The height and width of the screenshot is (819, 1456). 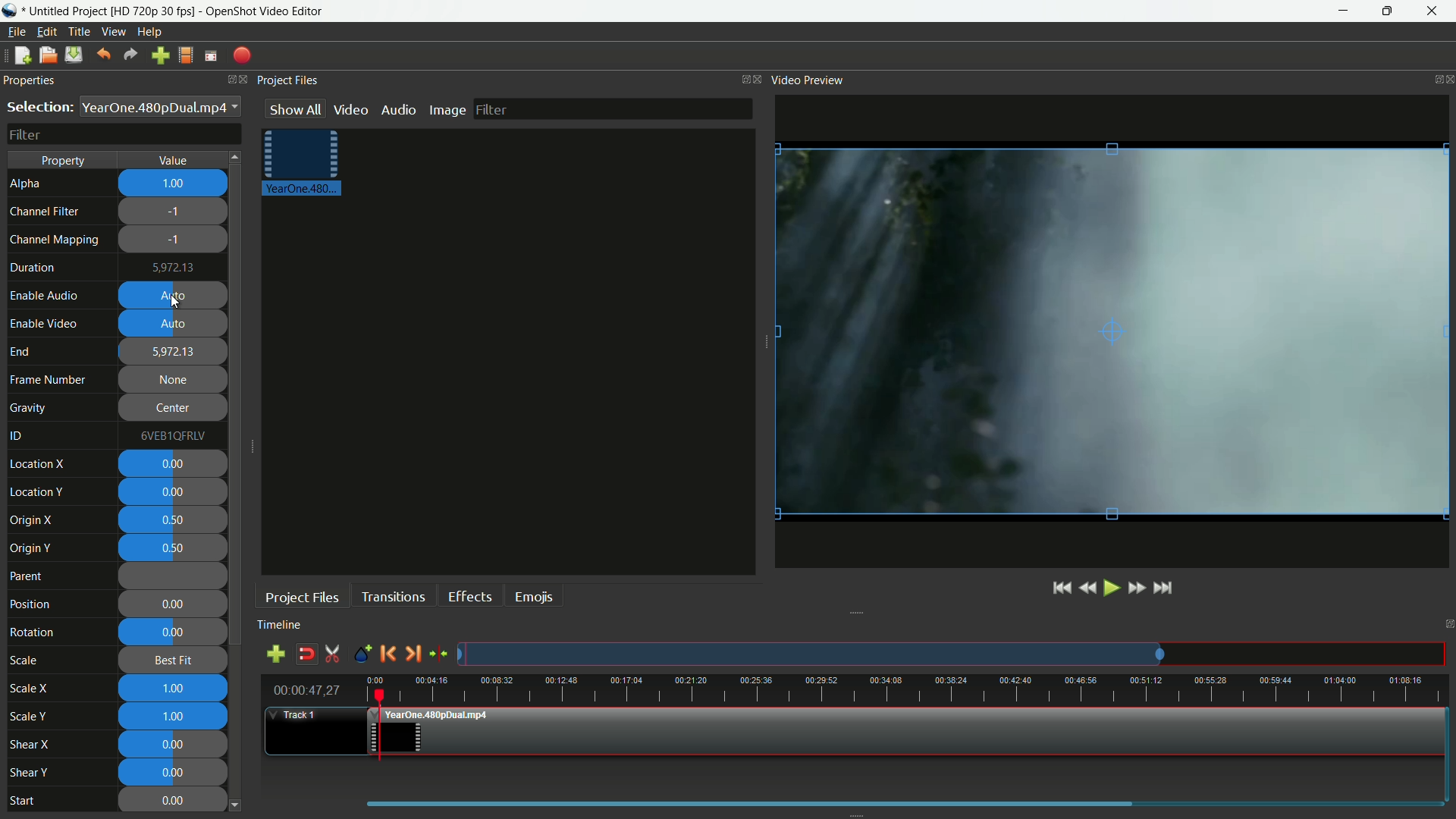 I want to click on 0.50, so click(x=176, y=519).